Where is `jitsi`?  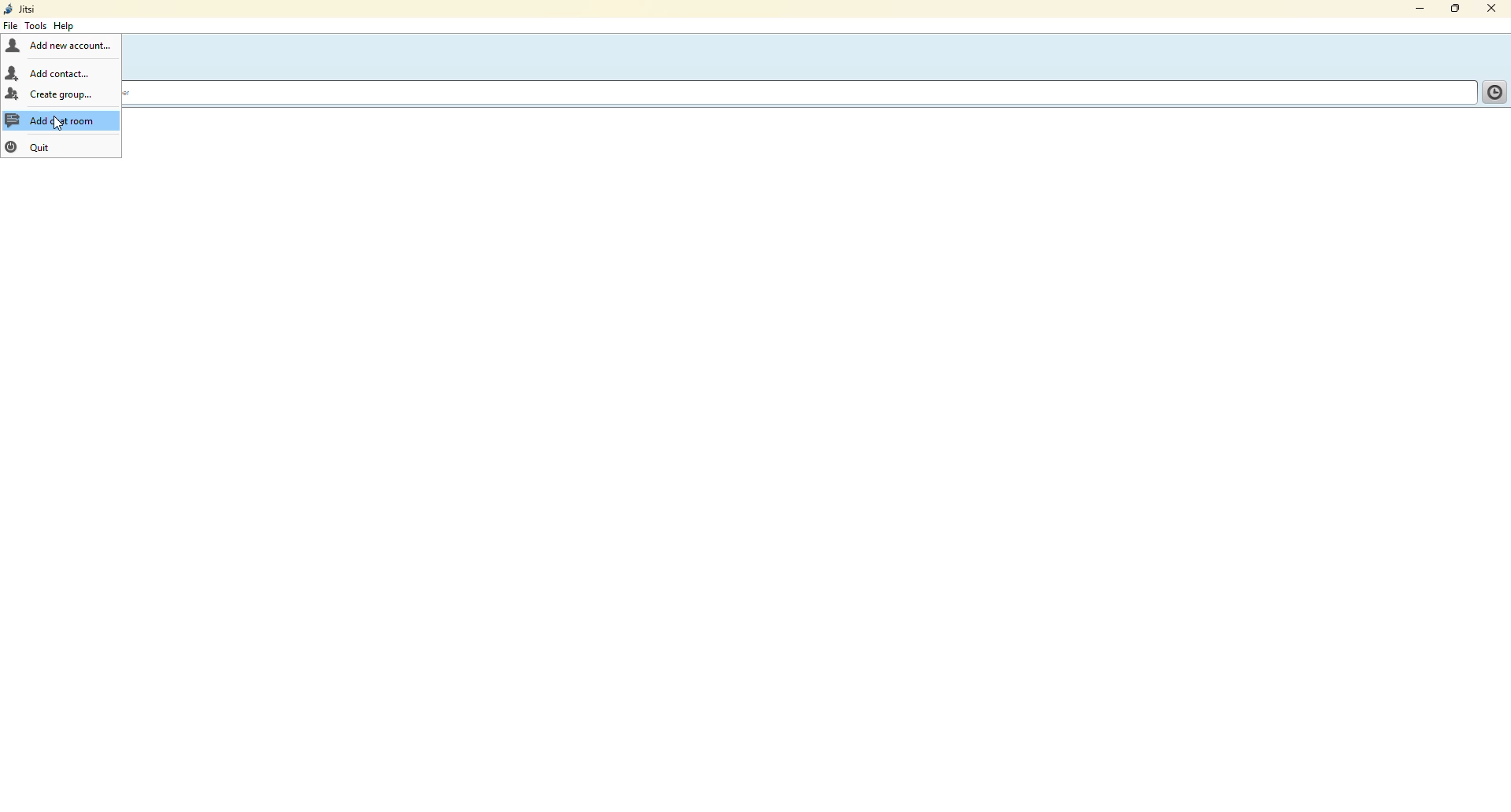
jitsi is located at coordinates (21, 9).